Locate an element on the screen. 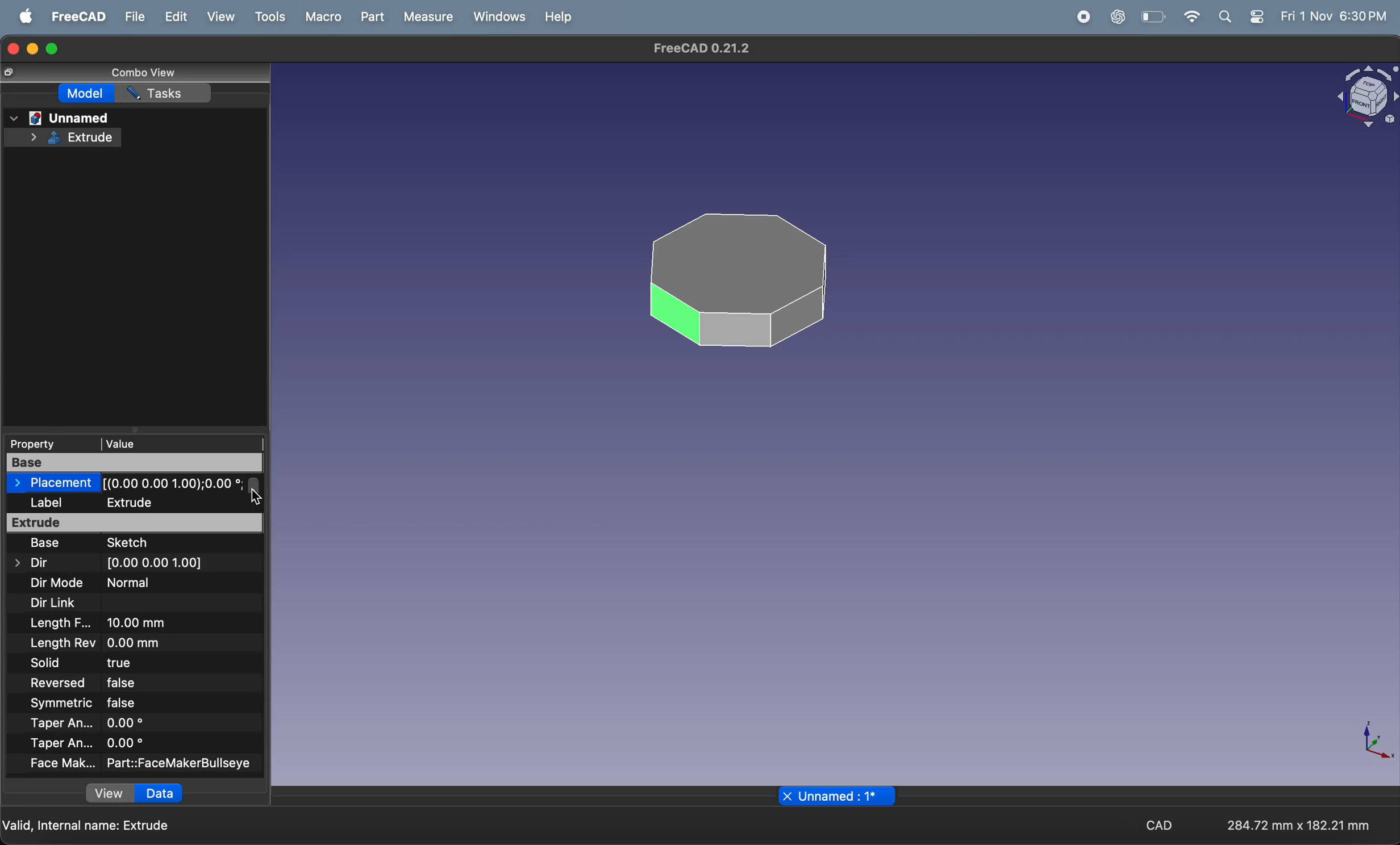  CAD is located at coordinates (1159, 826).